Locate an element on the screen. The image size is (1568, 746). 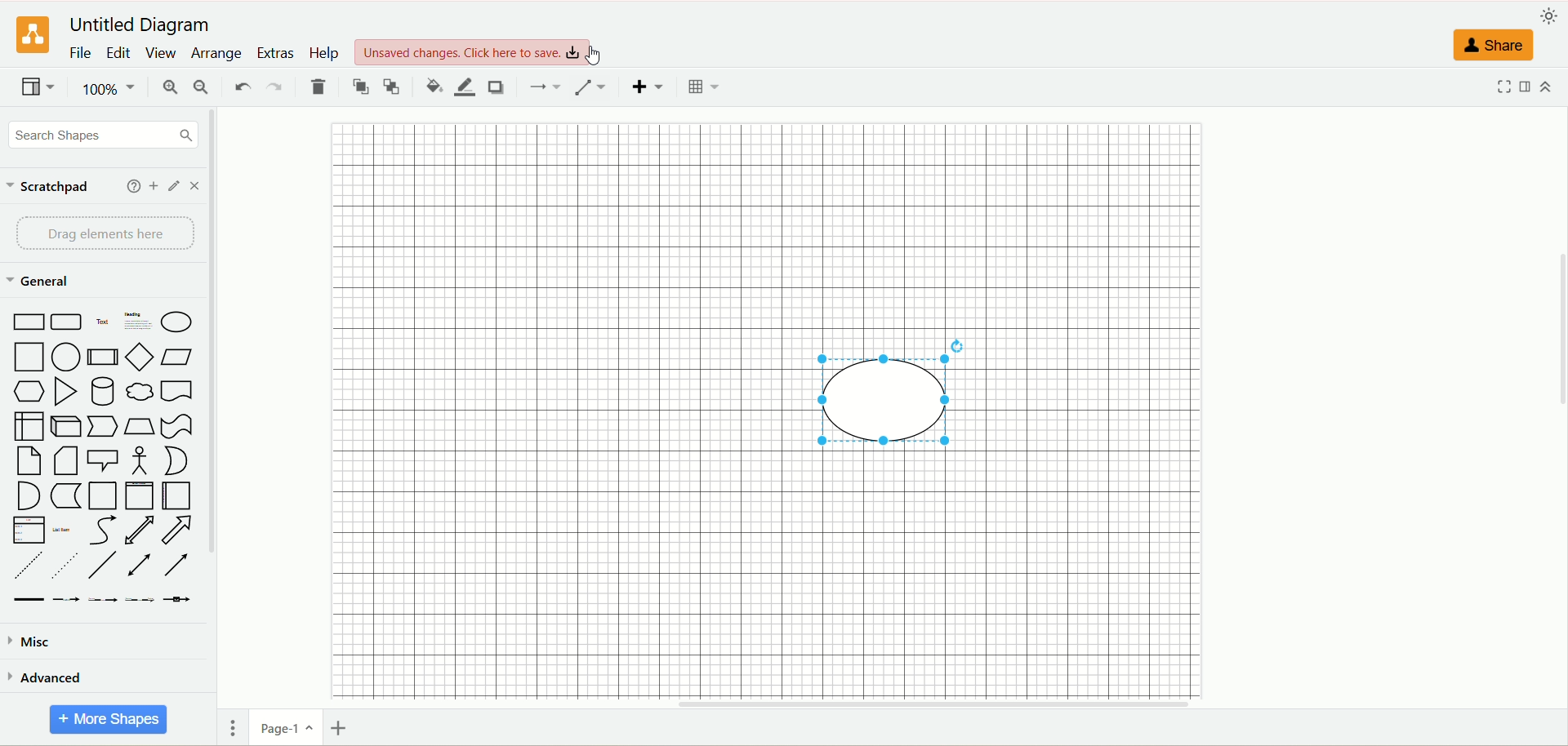
logo is located at coordinates (28, 36).